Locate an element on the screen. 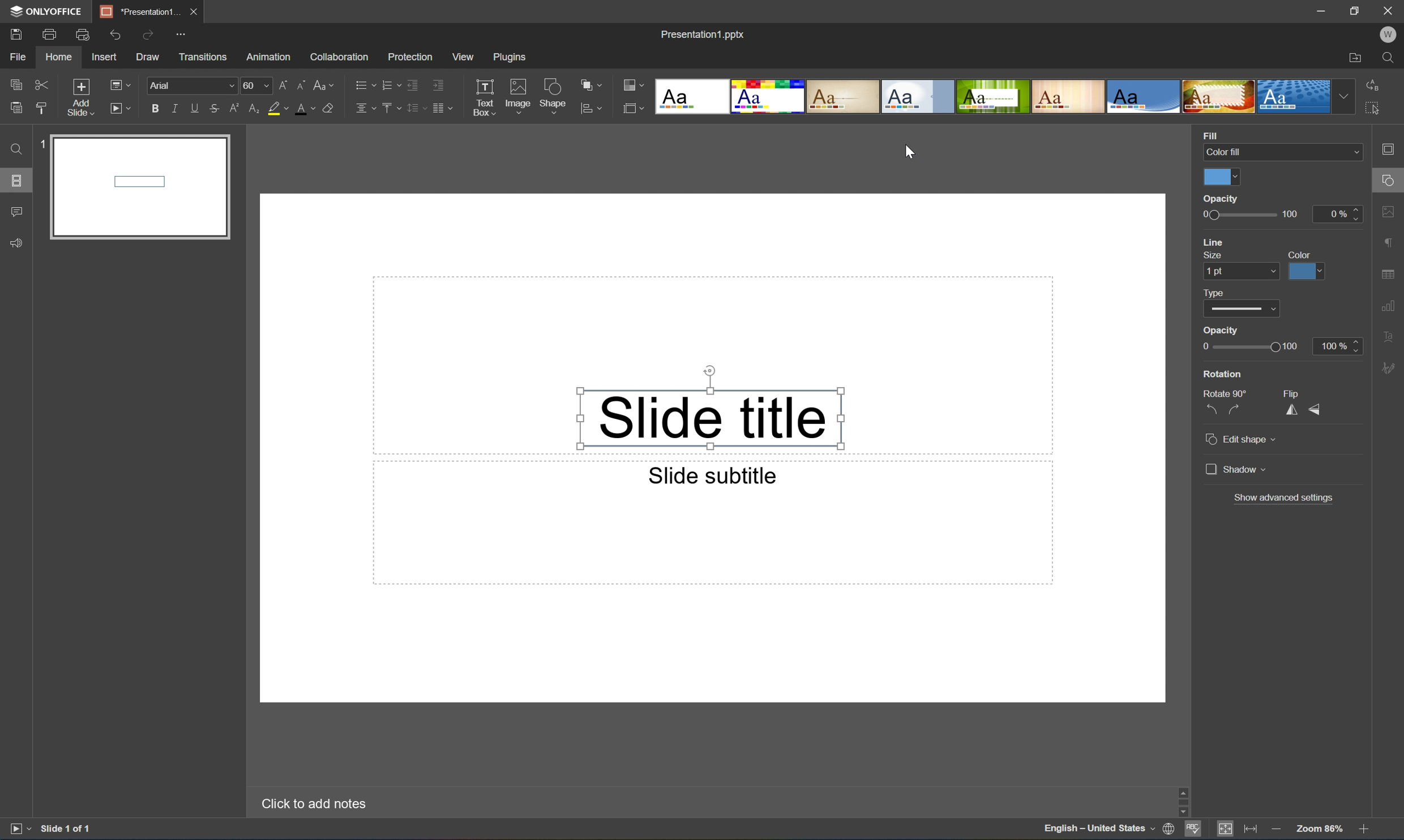  Flip vertically is located at coordinates (1317, 409).